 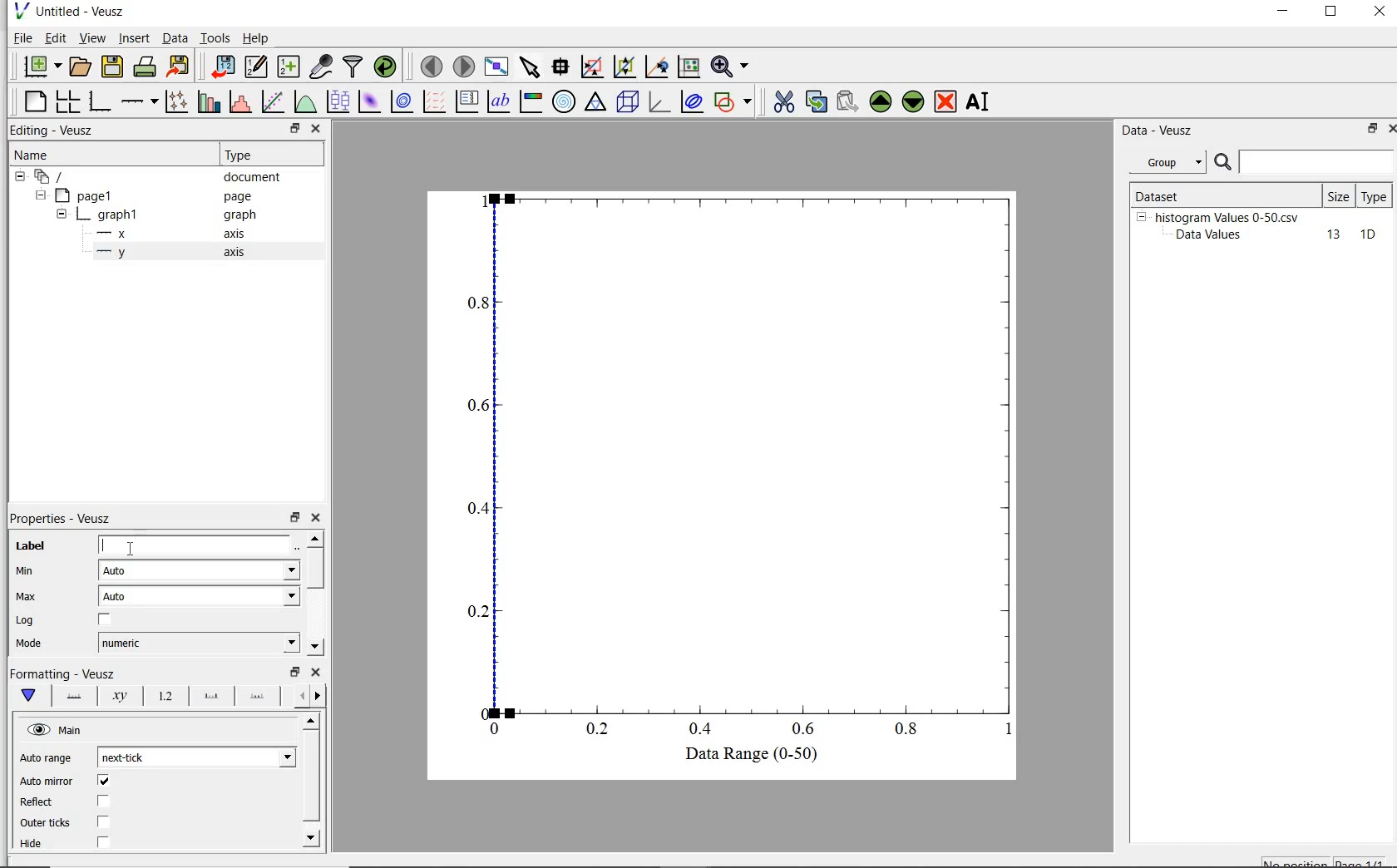 What do you see at coordinates (268, 155) in the screenshot?
I see `Type` at bounding box center [268, 155].